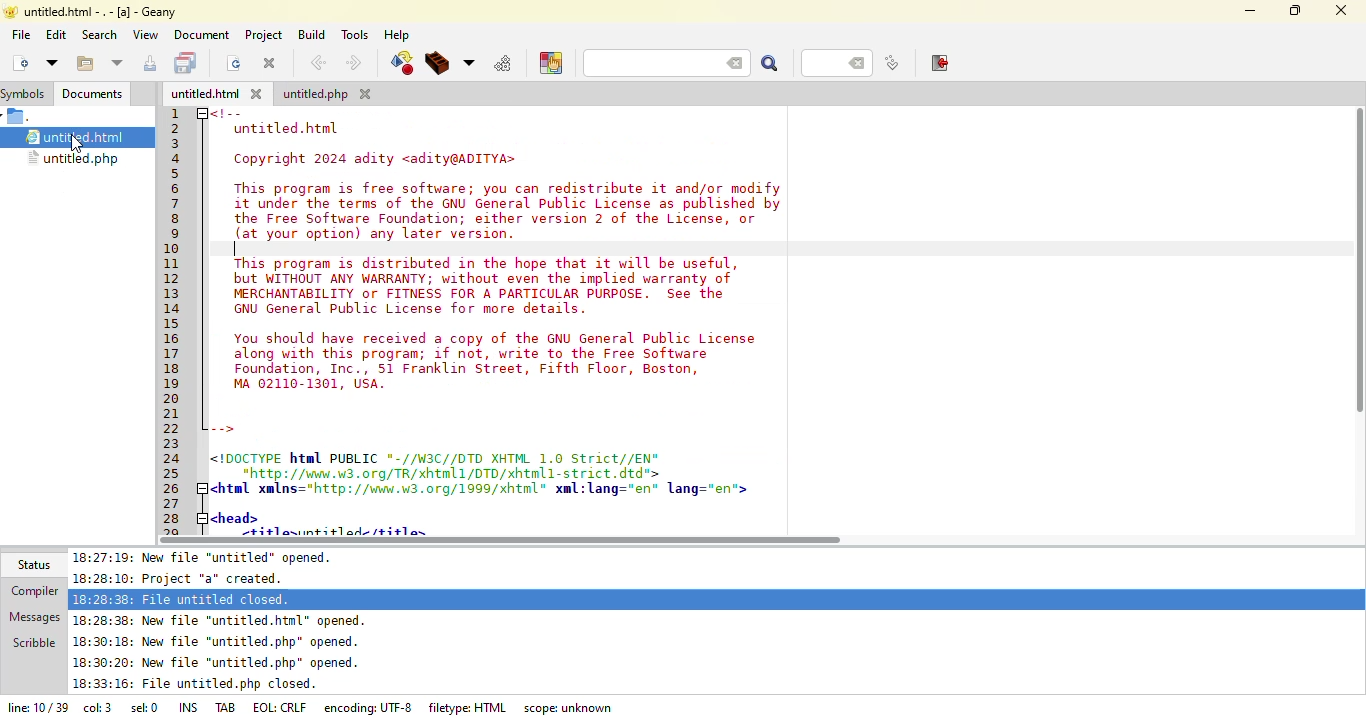 The width and height of the screenshot is (1366, 718). Describe the element at coordinates (318, 62) in the screenshot. I see `back` at that location.